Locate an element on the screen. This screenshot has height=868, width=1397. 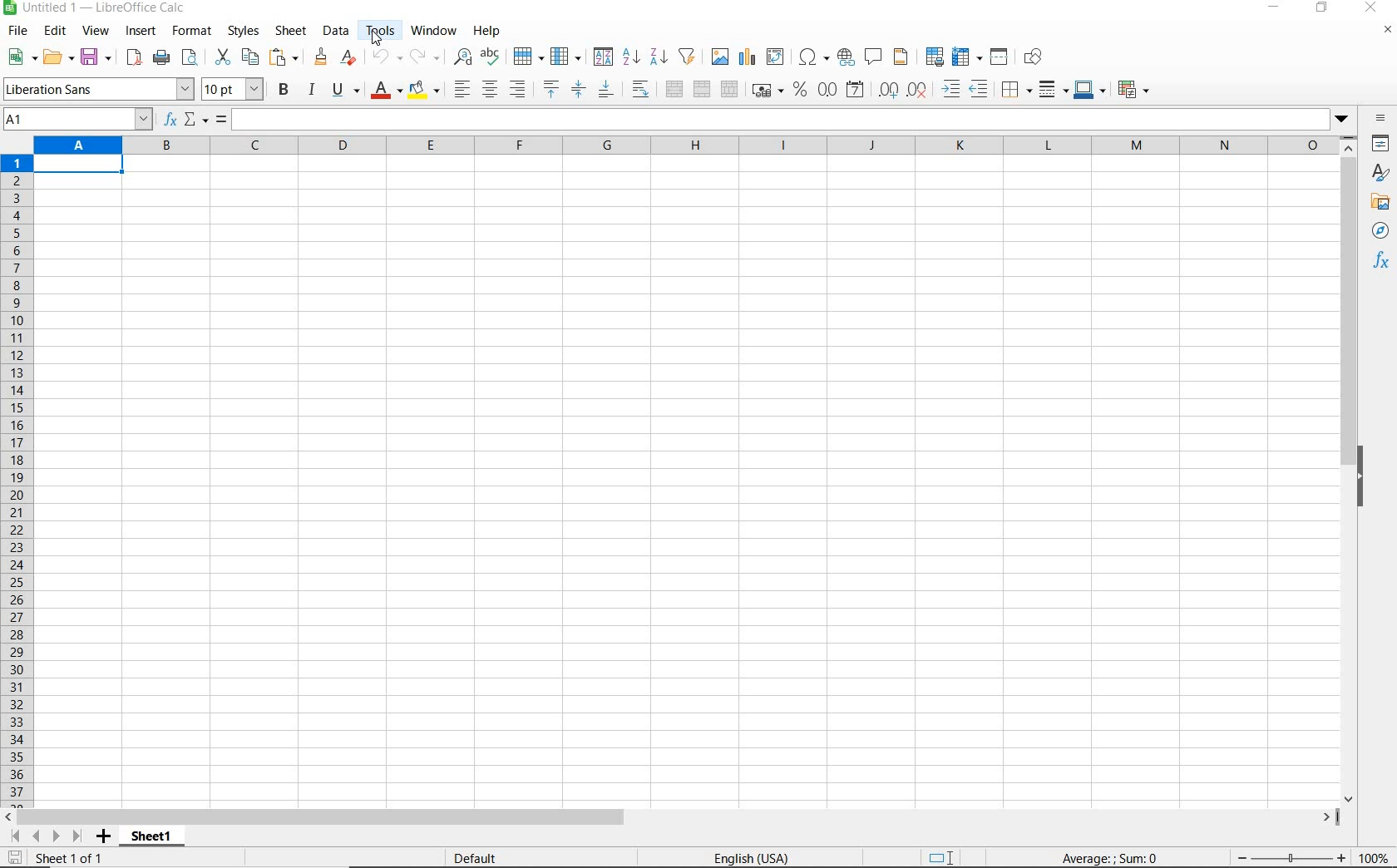
redo is located at coordinates (422, 57).